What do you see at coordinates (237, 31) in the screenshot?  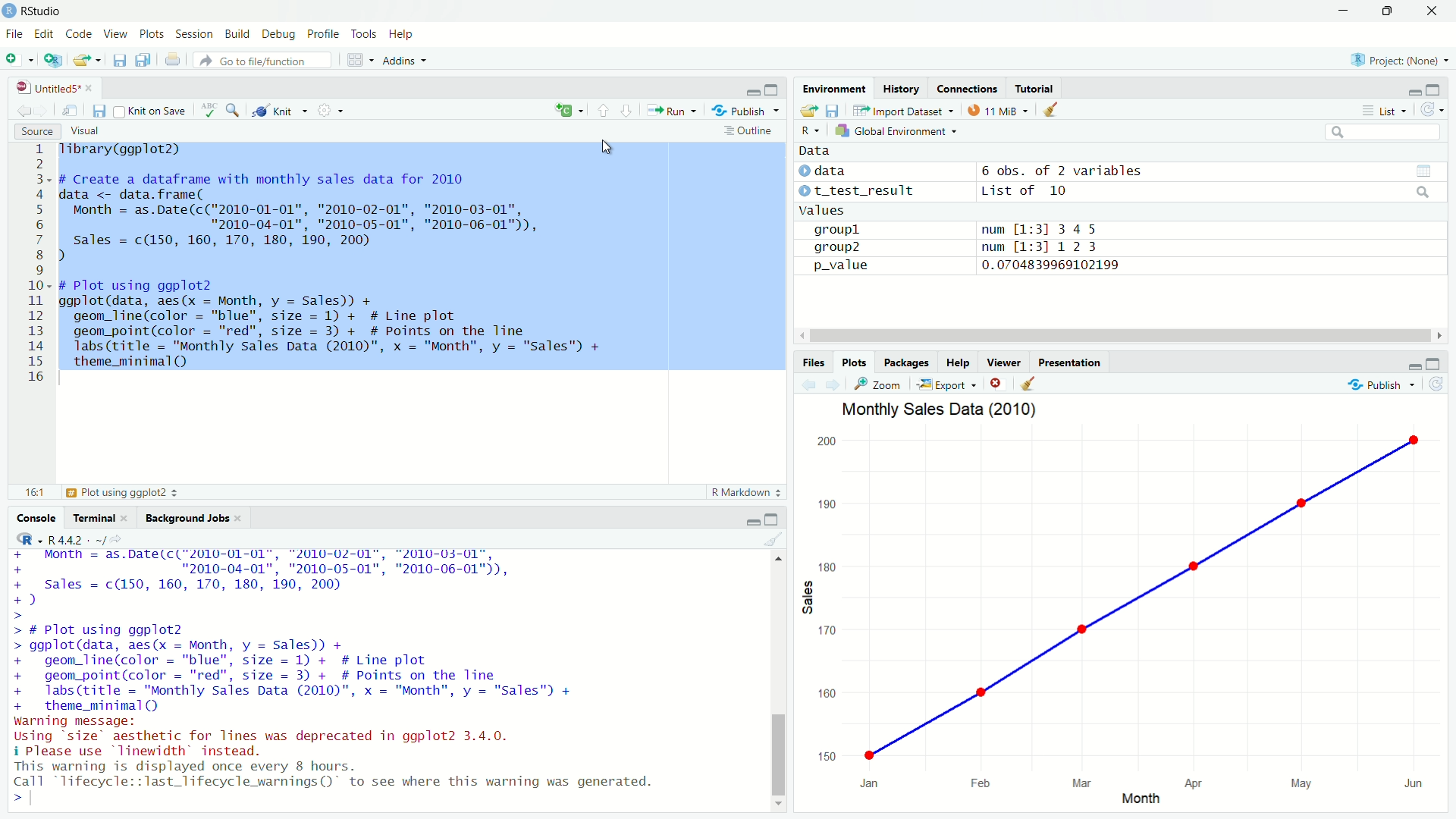 I see `Build` at bounding box center [237, 31].